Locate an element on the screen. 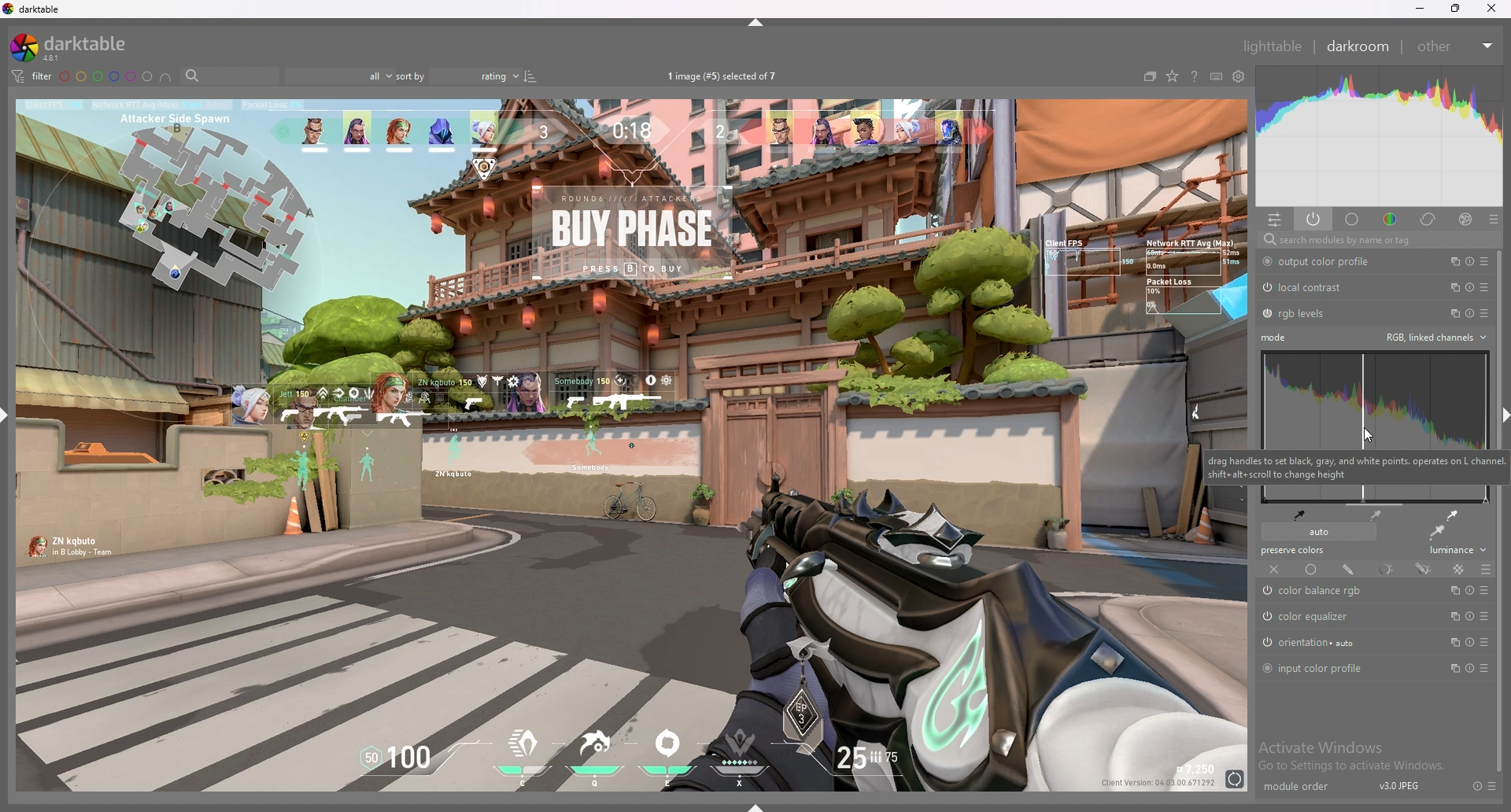 This screenshot has width=1511, height=812. presets is located at coordinates (1484, 313).